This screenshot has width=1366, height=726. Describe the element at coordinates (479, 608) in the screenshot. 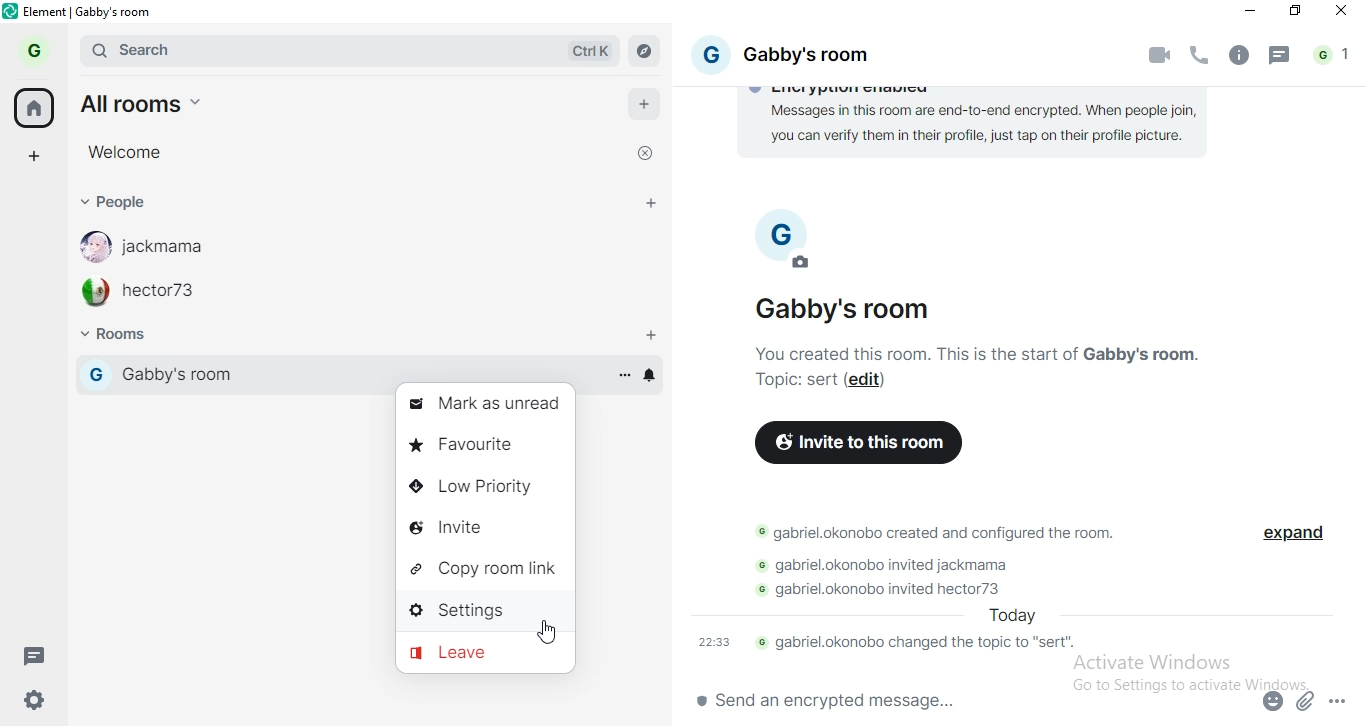

I see `settings` at that location.